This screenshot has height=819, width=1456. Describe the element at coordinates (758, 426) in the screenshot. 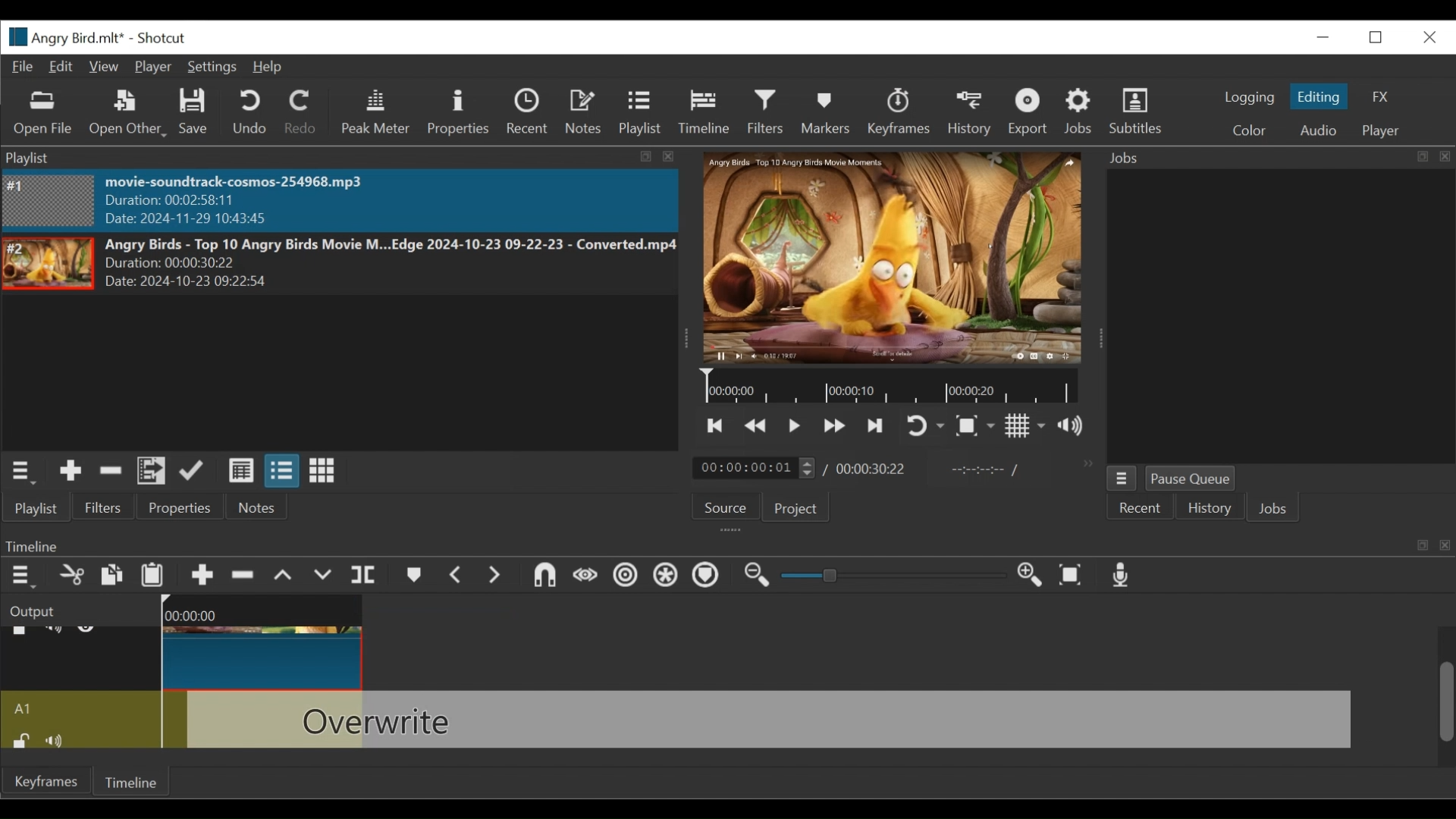

I see `Play quickly backward` at that location.